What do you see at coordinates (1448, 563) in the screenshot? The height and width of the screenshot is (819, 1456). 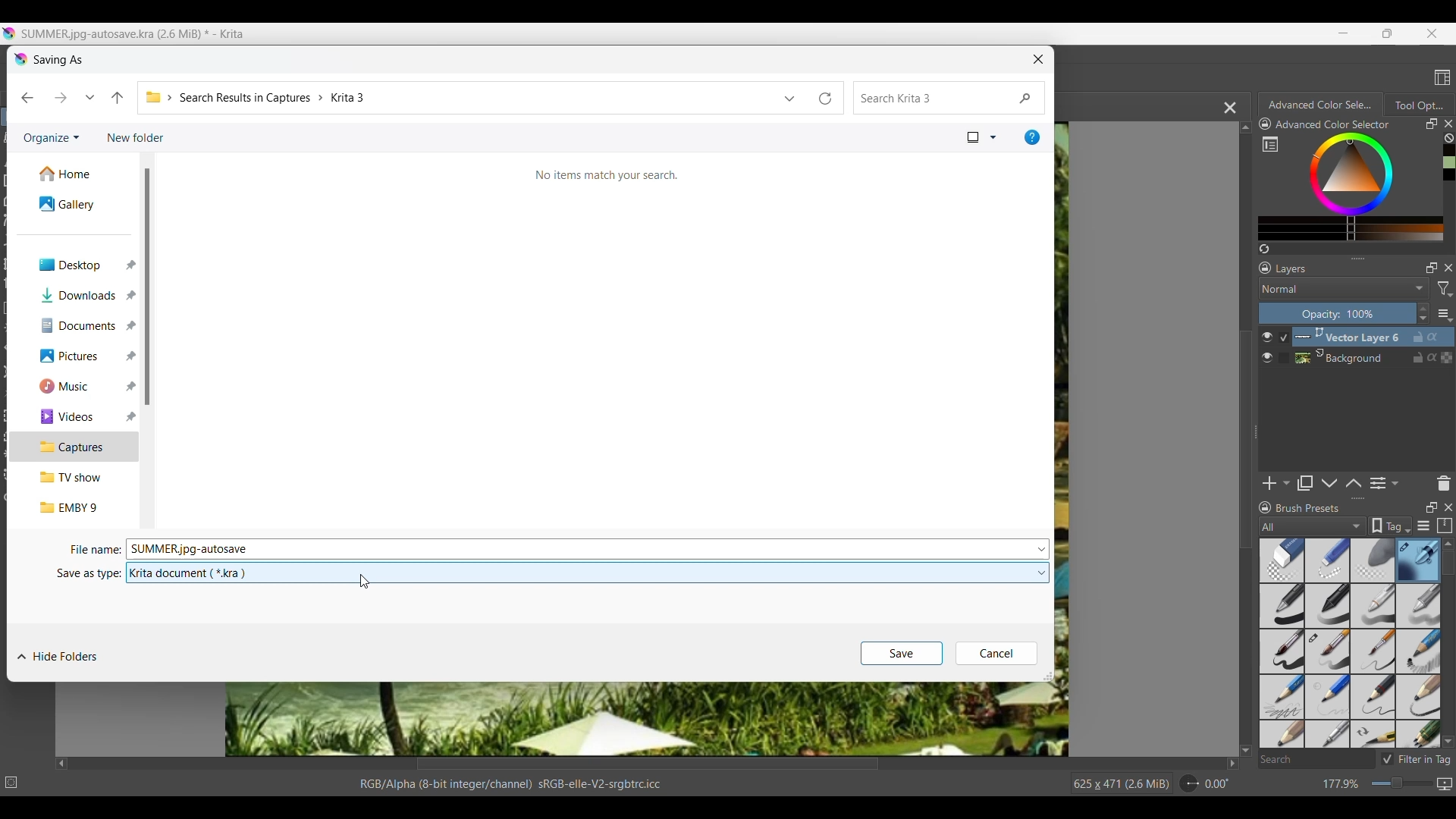 I see `Vertical slide bar` at bounding box center [1448, 563].